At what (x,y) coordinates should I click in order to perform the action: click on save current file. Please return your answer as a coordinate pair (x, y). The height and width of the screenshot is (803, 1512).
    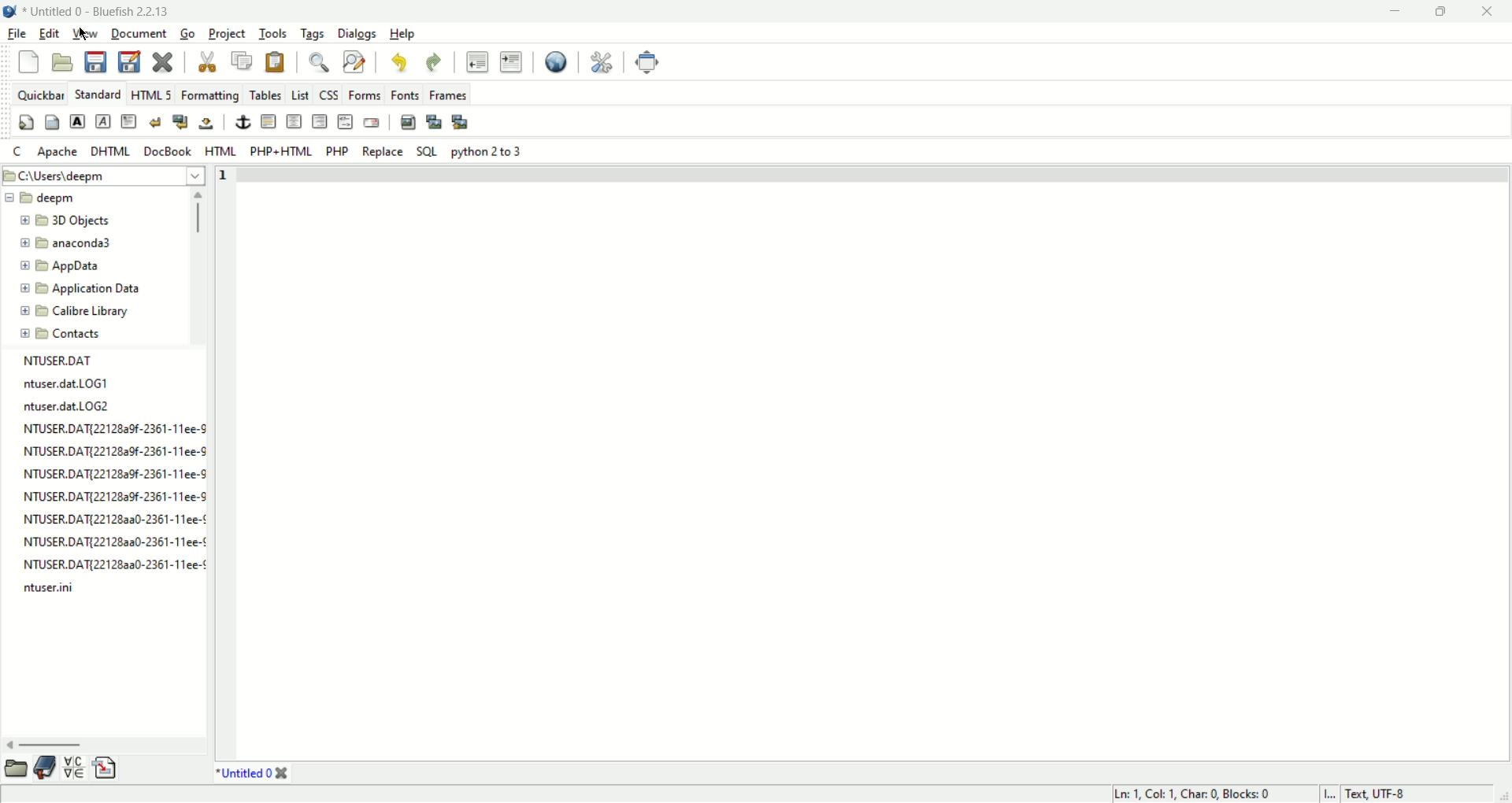
    Looking at the image, I should click on (94, 62).